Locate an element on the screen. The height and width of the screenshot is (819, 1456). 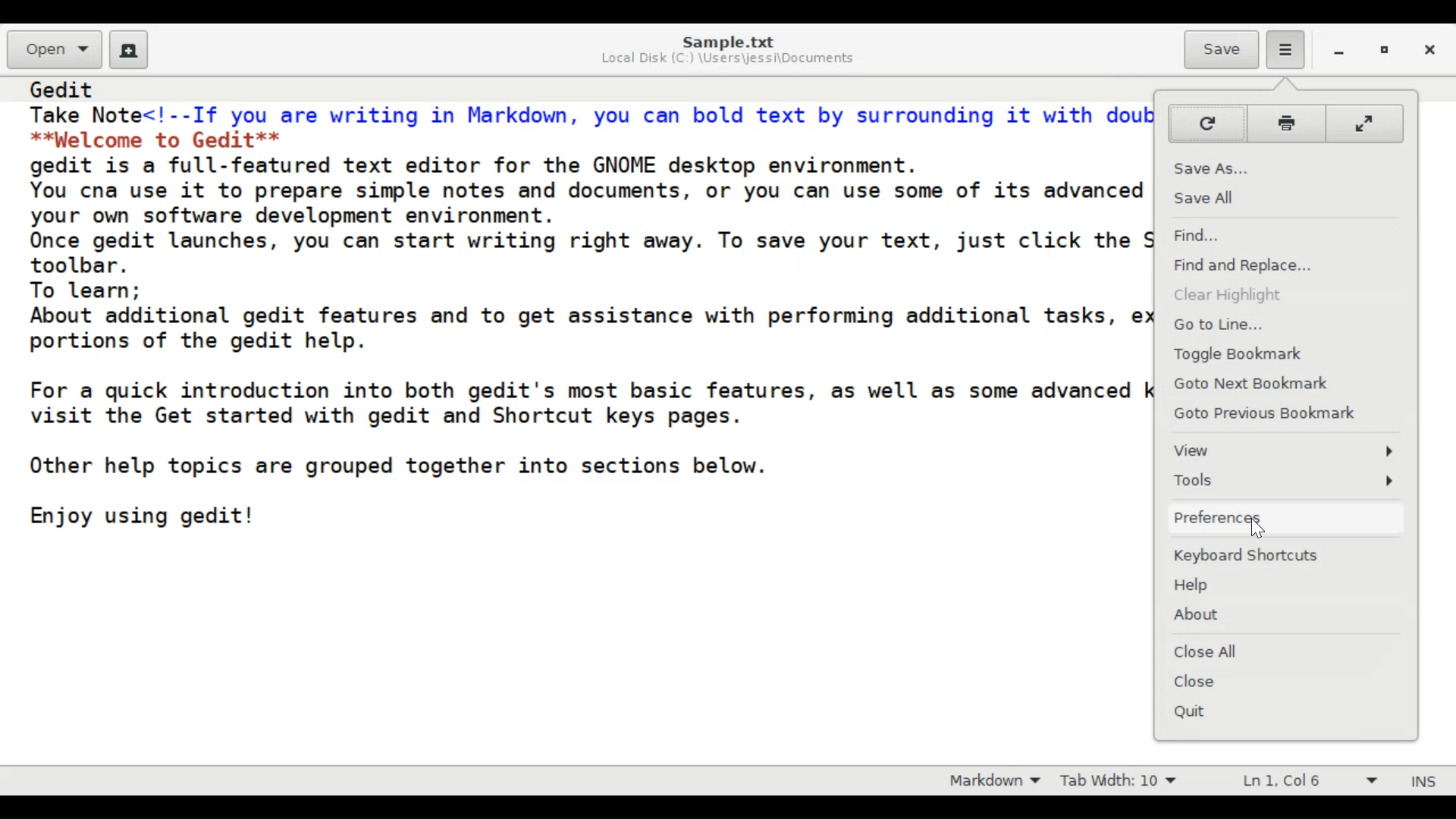
Quit is located at coordinates (1200, 712).